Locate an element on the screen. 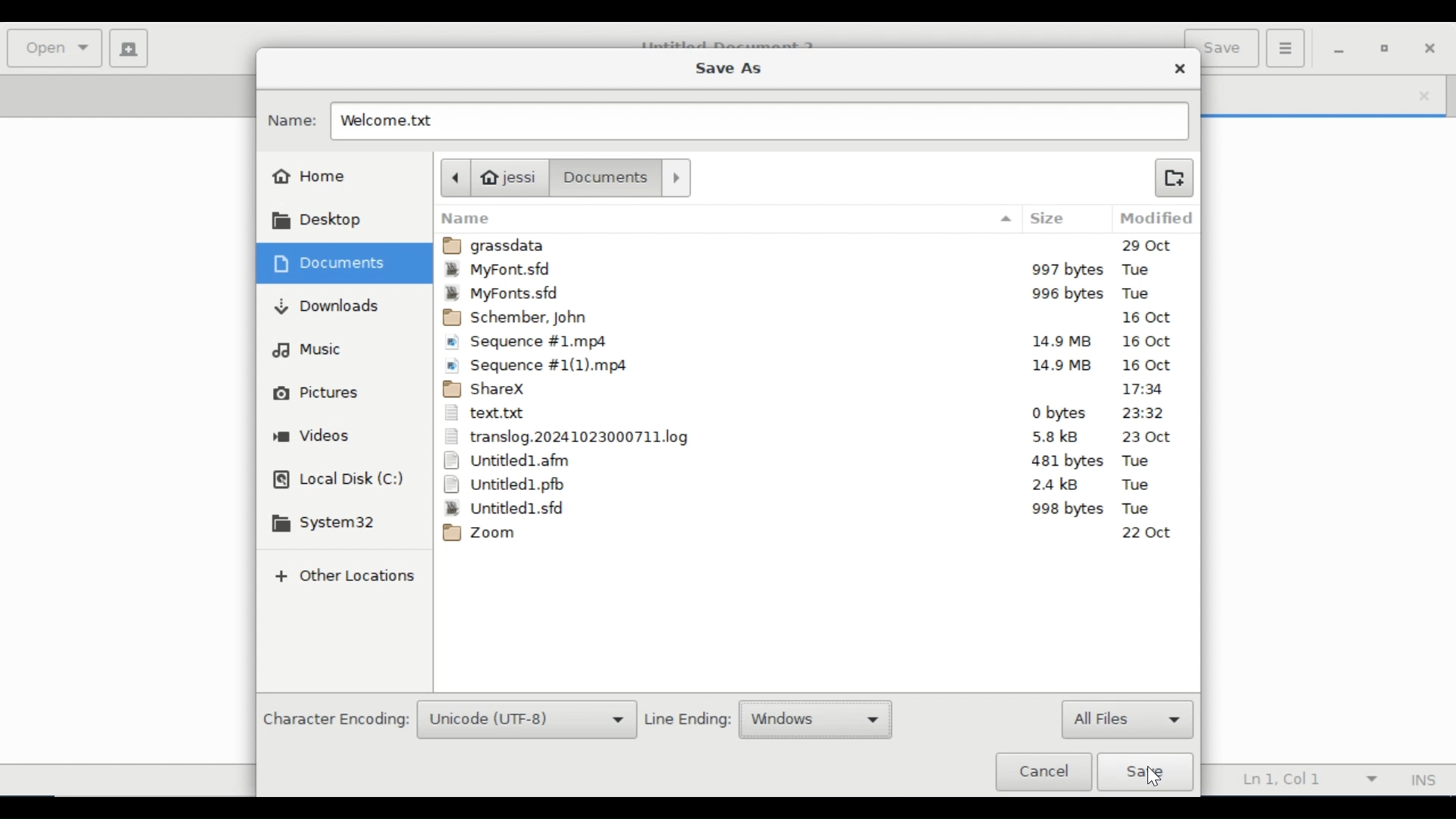  minimize is located at coordinates (1339, 50).